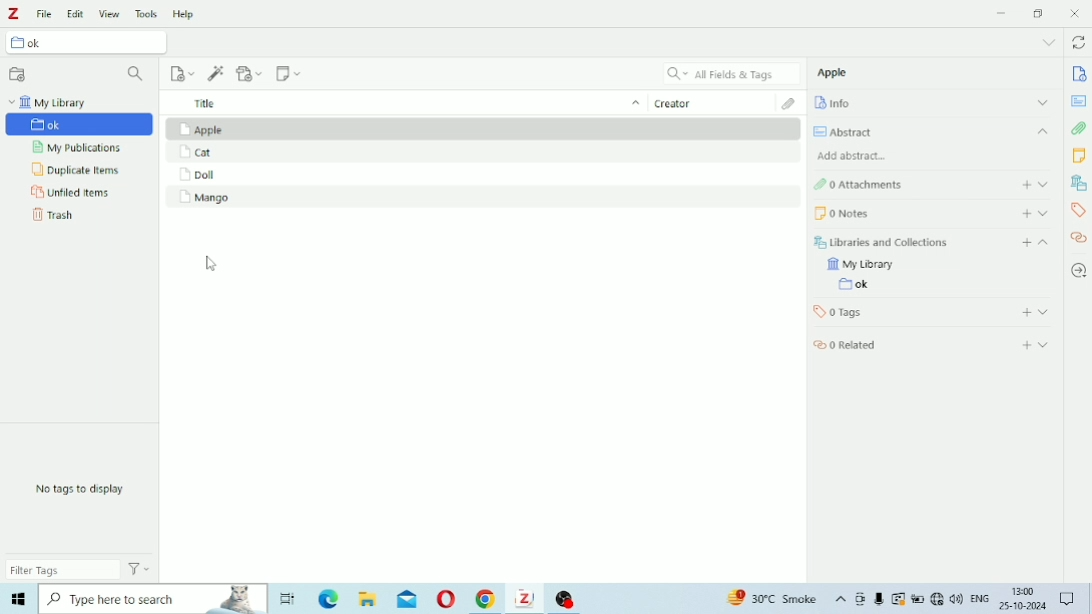 The width and height of the screenshot is (1092, 614). Describe the element at coordinates (76, 13) in the screenshot. I see `Edit` at that location.